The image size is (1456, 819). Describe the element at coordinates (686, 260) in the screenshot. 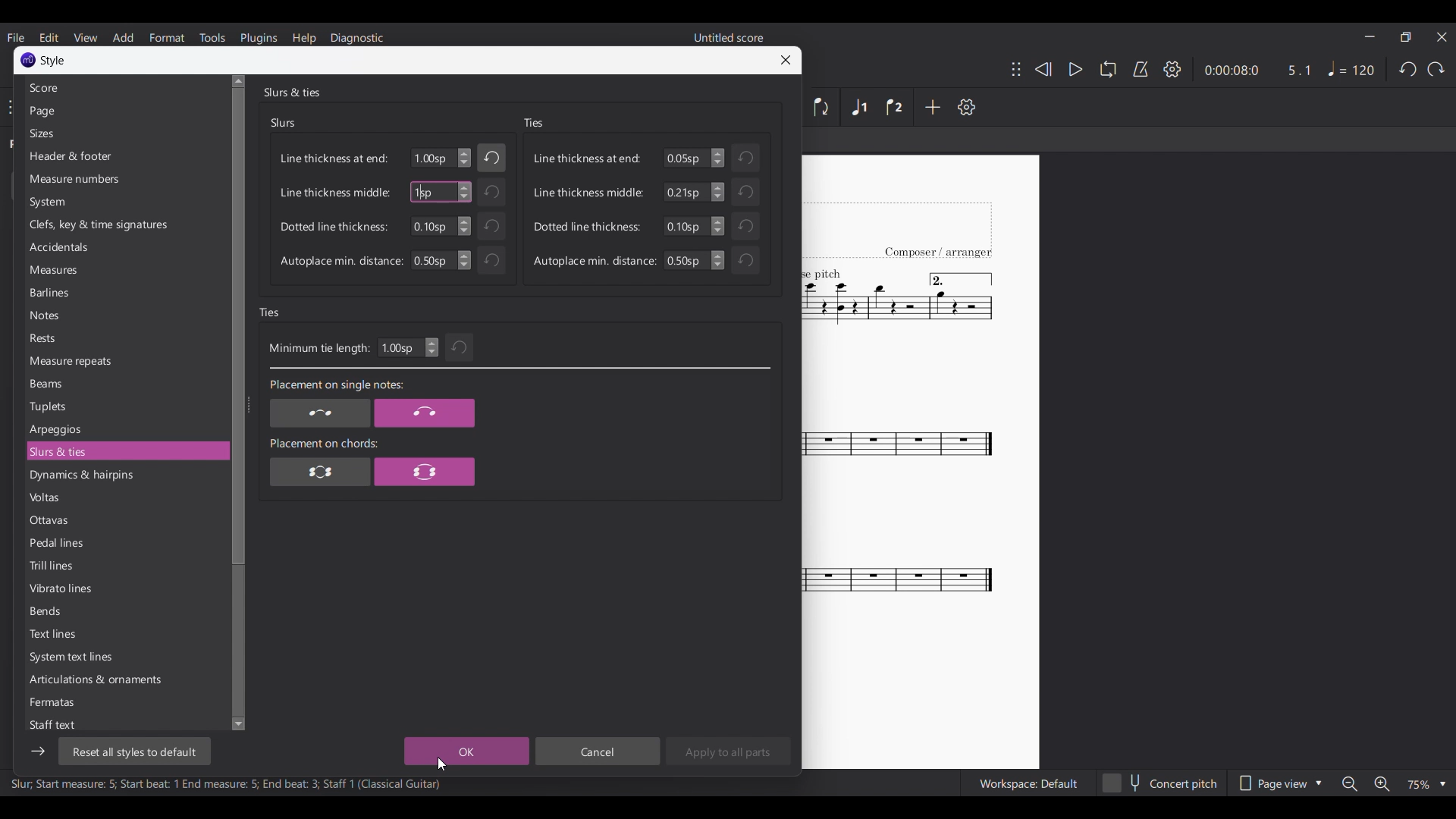

I see `Input autoplace min. distance` at that location.